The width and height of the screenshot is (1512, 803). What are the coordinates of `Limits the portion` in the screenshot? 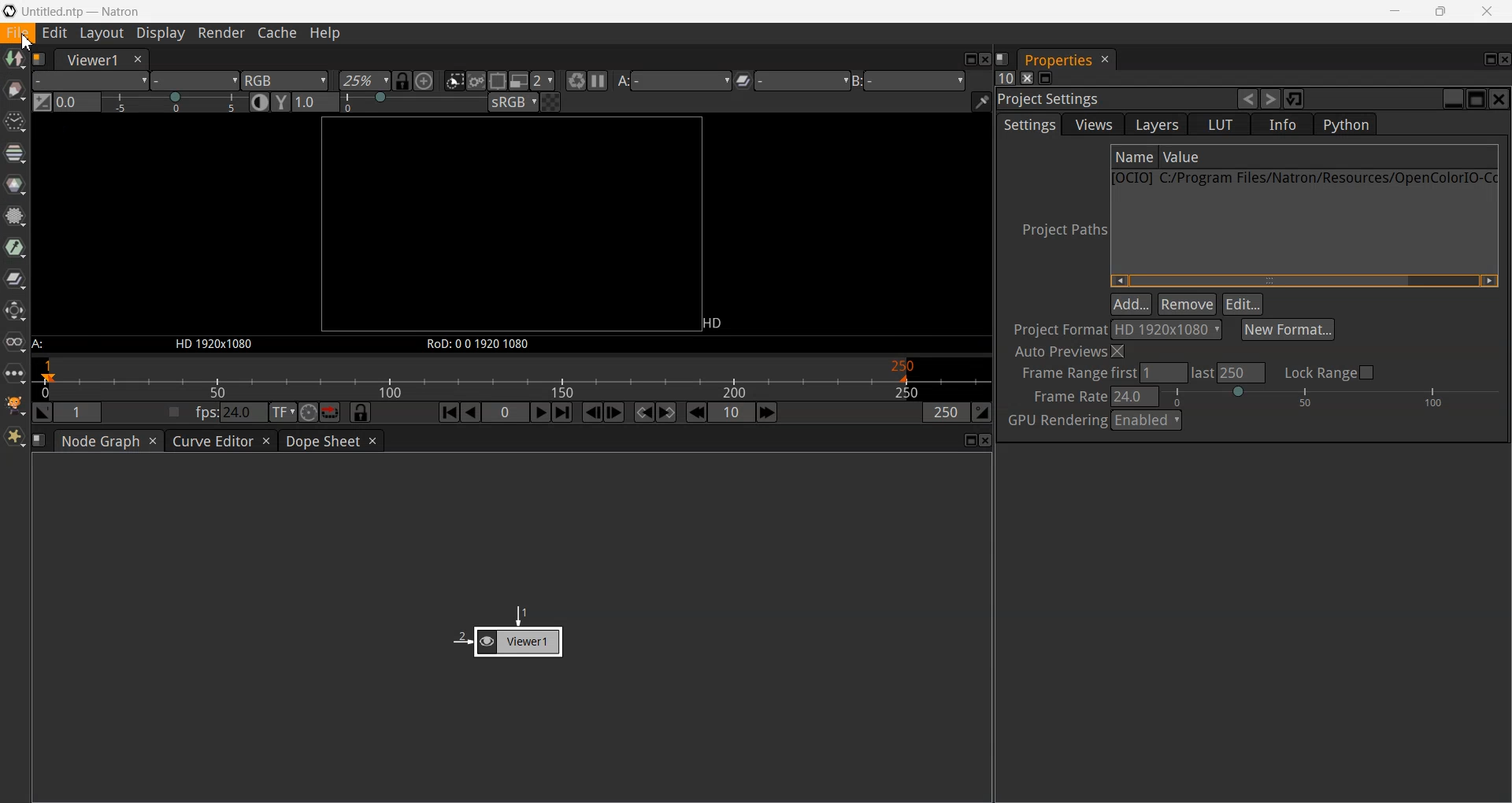 It's located at (497, 80).